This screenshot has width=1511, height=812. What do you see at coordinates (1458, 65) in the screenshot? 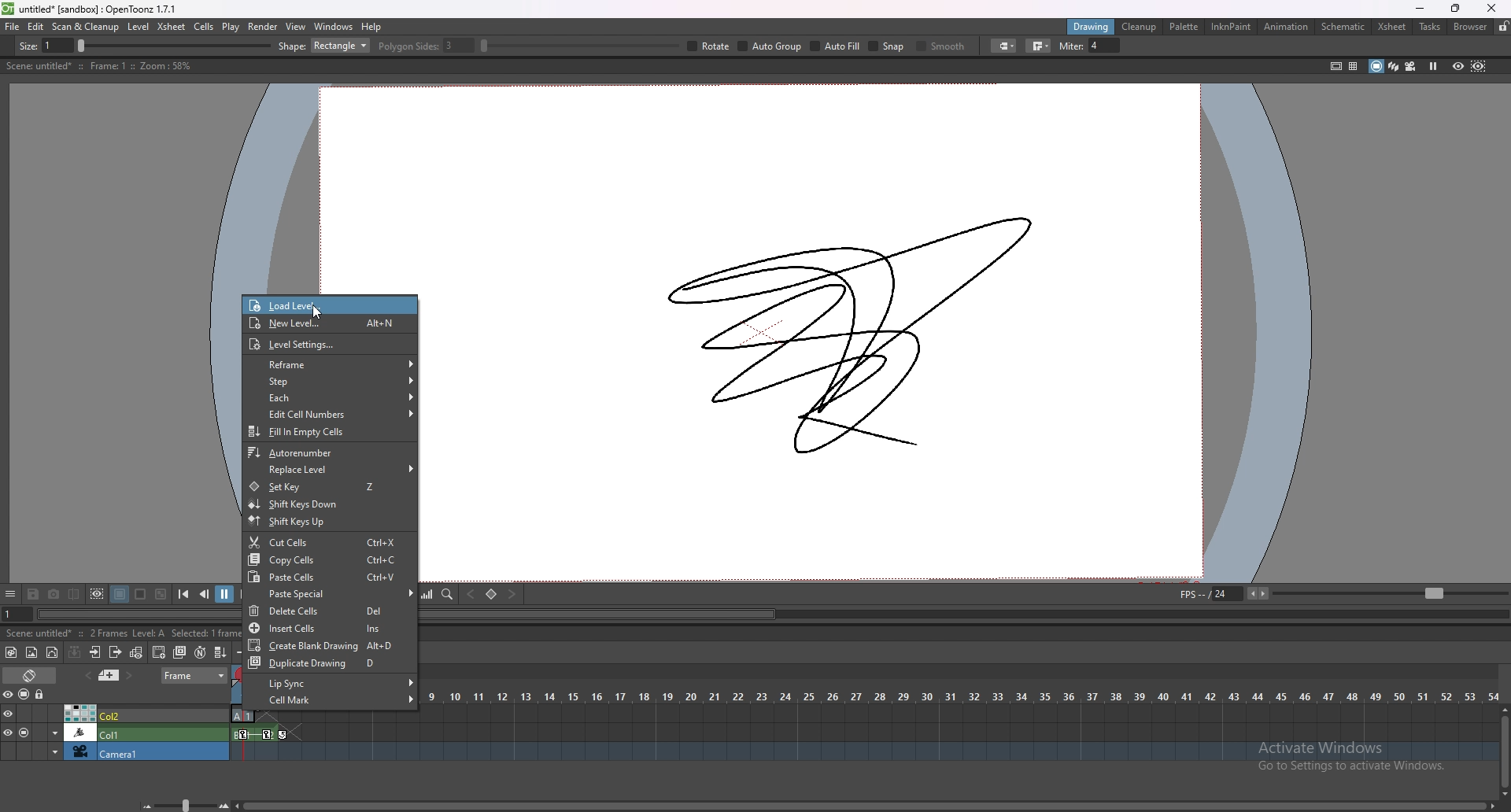
I see `preview` at bounding box center [1458, 65].